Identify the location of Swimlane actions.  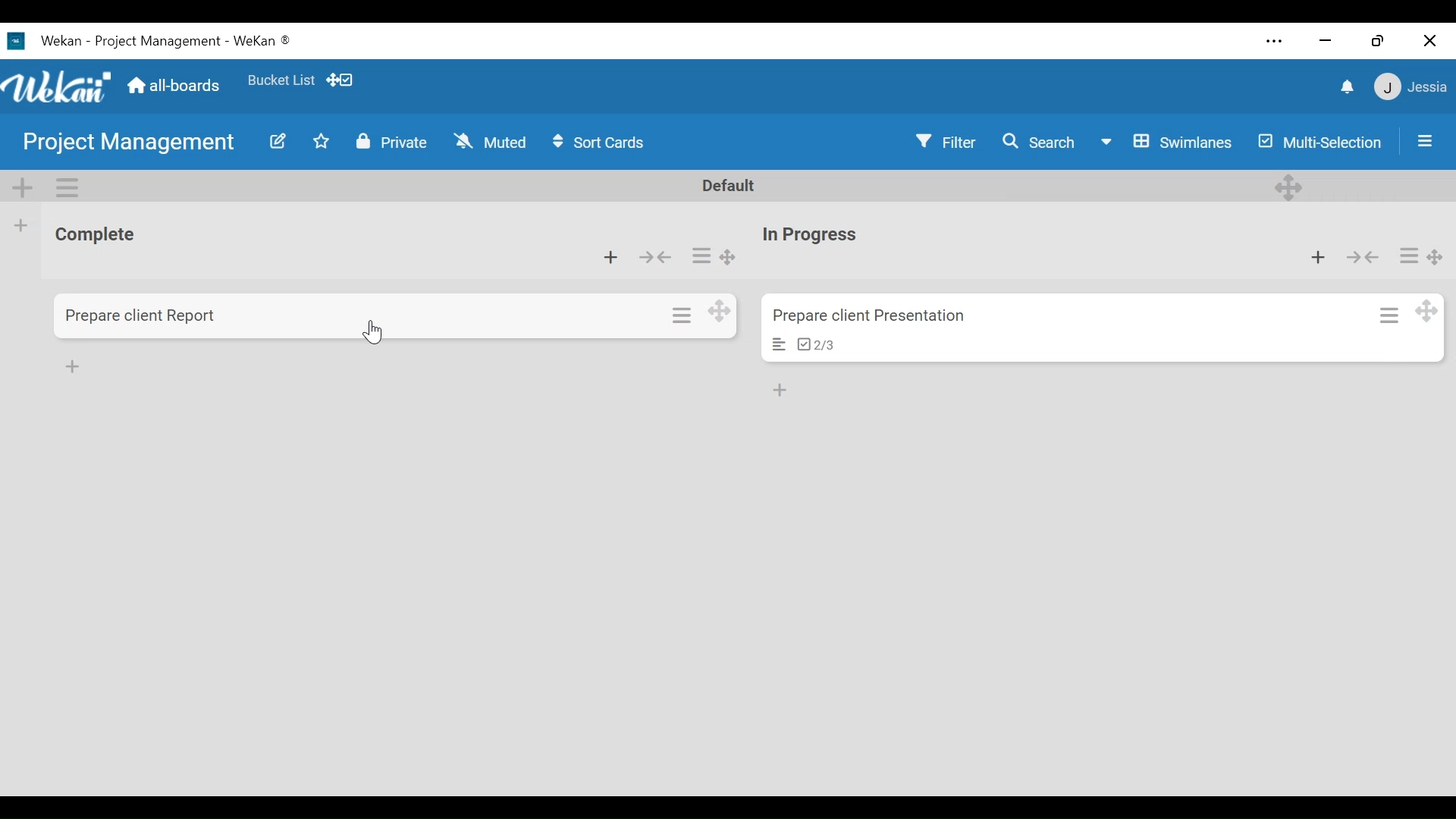
(65, 187).